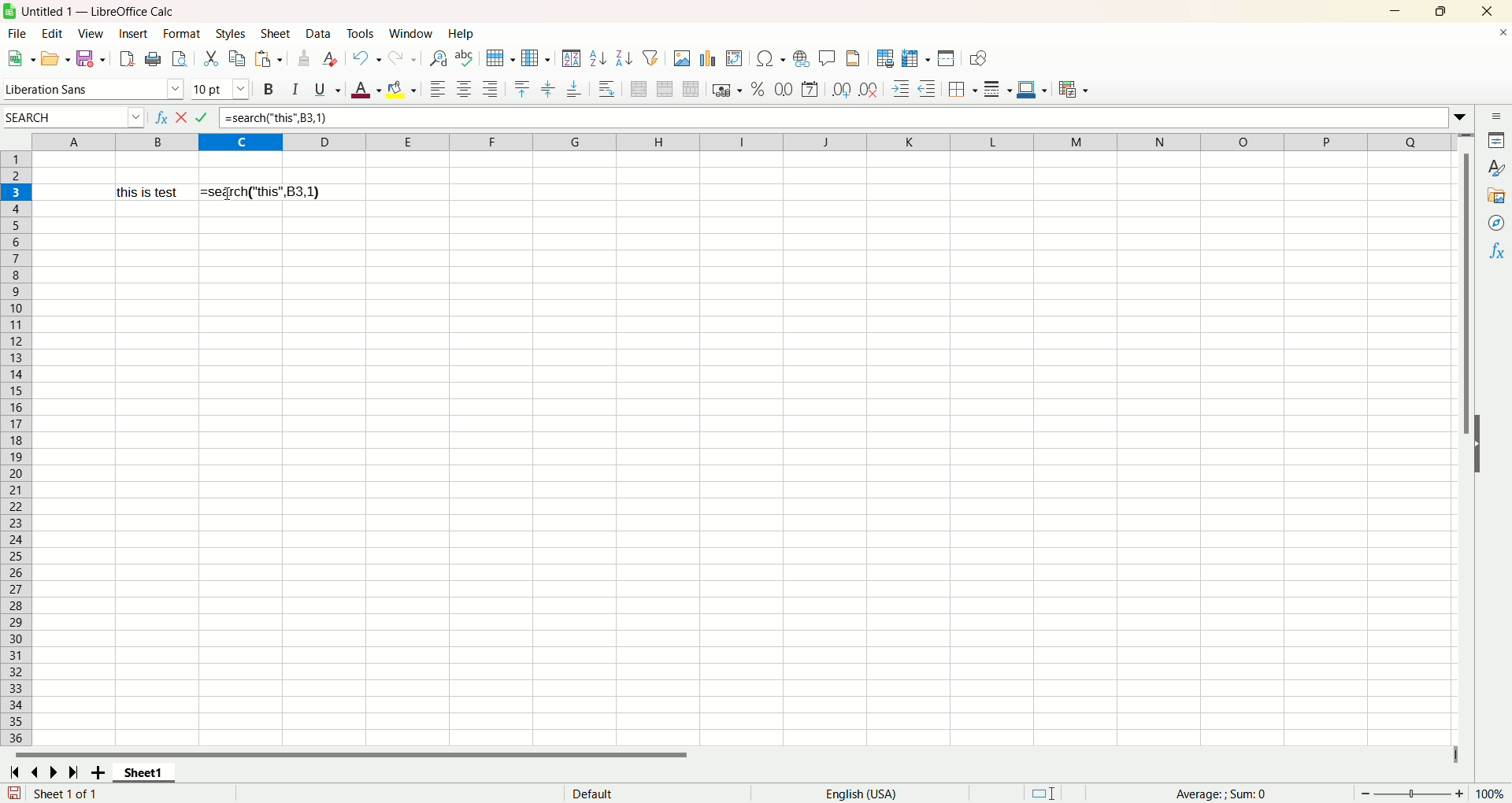 The width and height of the screenshot is (1512, 803). I want to click on font size, so click(220, 89).